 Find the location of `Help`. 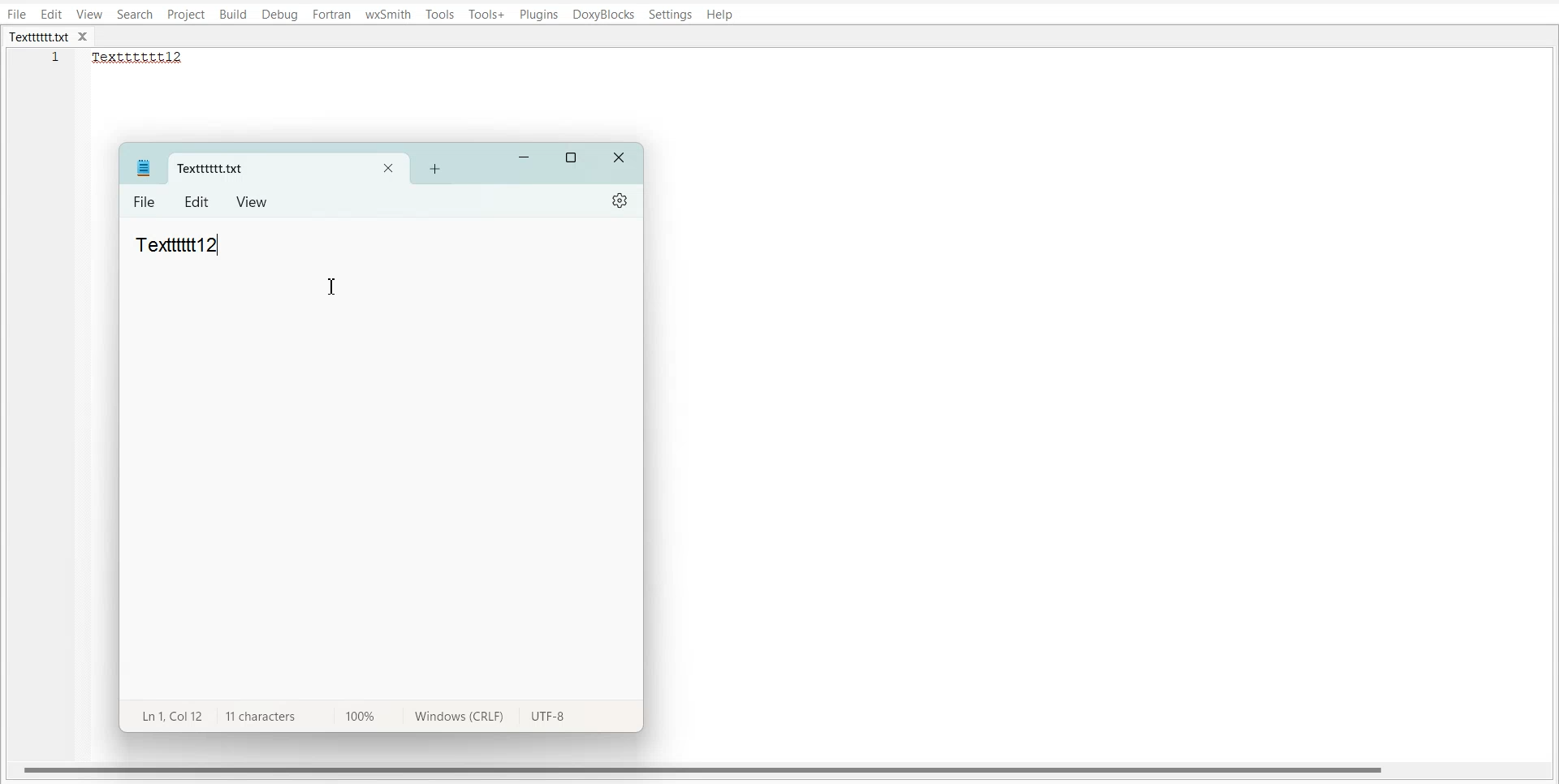

Help is located at coordinates (719, 15).